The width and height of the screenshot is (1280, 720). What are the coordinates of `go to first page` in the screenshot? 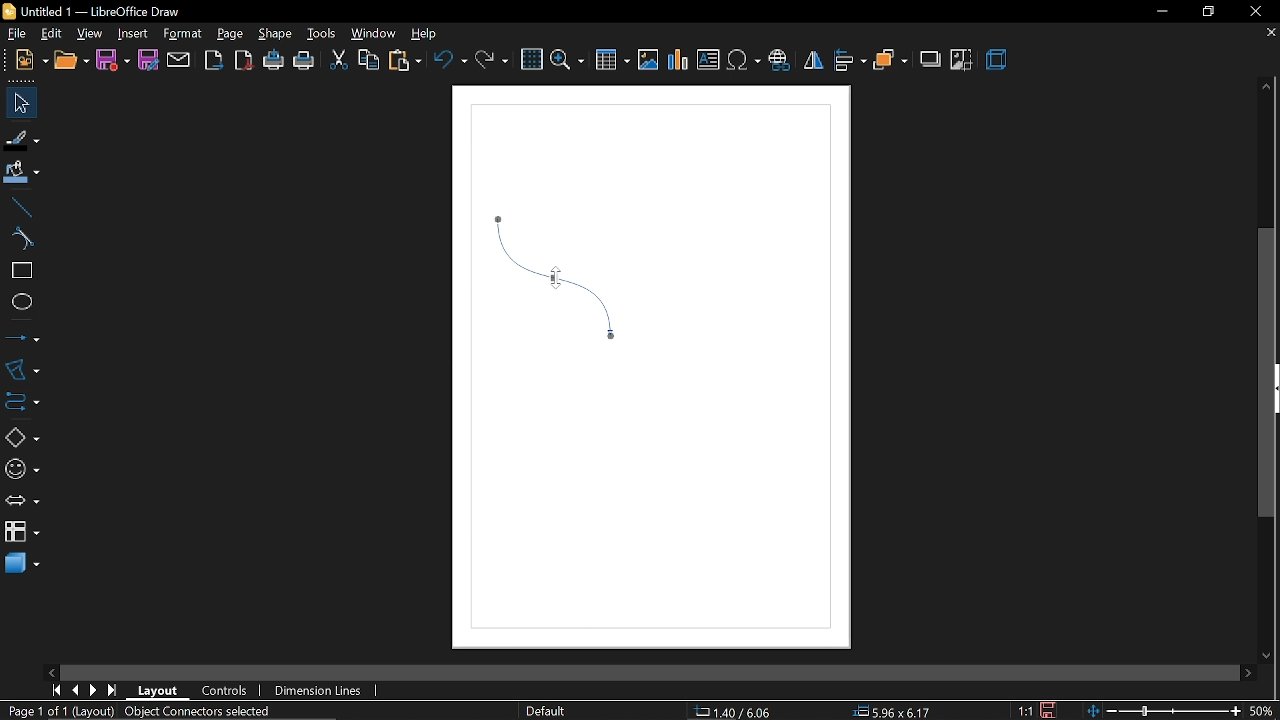 It's located at (54, 691).